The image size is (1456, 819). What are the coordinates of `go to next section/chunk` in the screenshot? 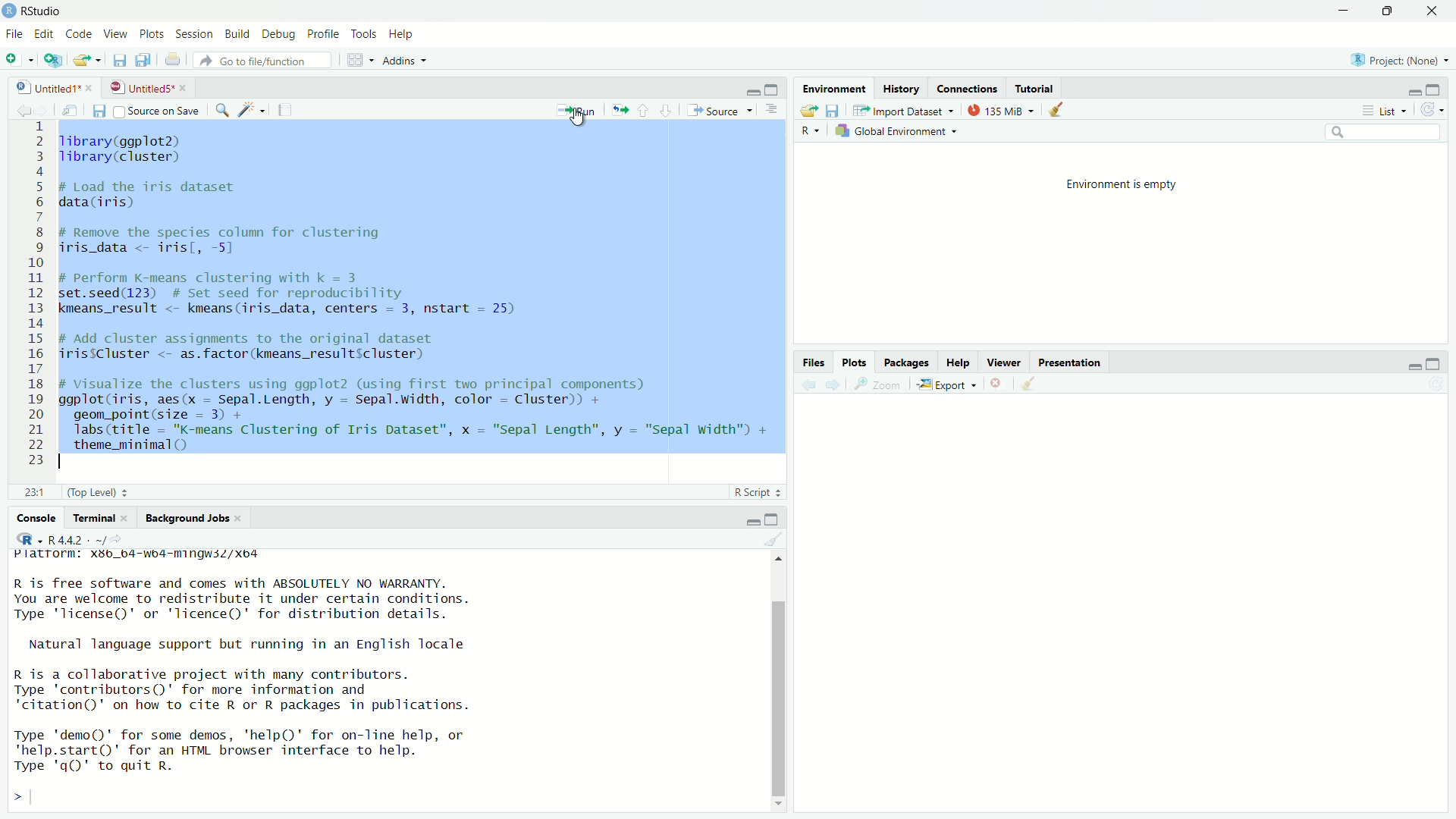 It's located at (667, 111).